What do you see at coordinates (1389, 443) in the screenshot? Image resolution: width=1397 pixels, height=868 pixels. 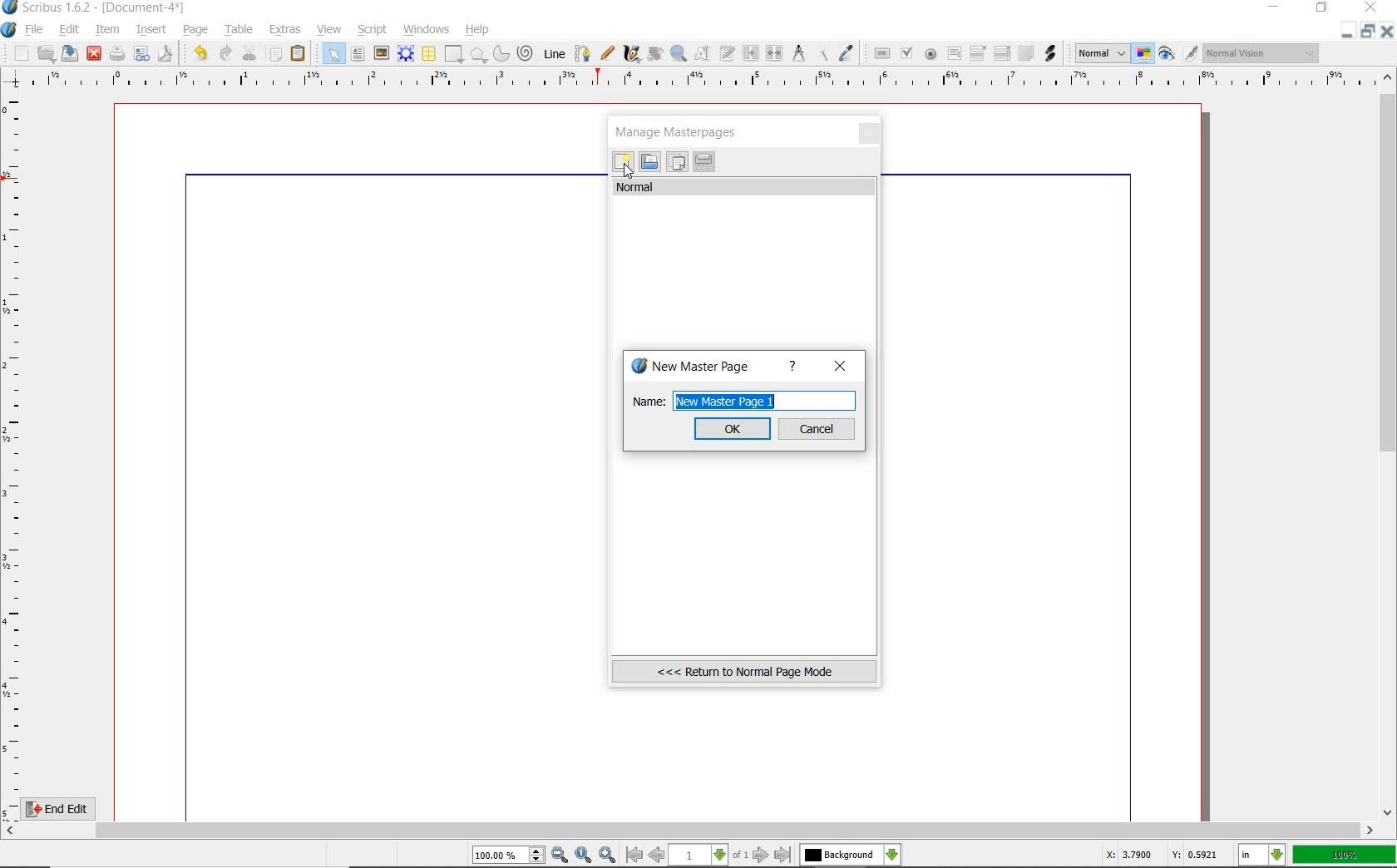 I see `scrollbar` at bounding box center [1389, 443].